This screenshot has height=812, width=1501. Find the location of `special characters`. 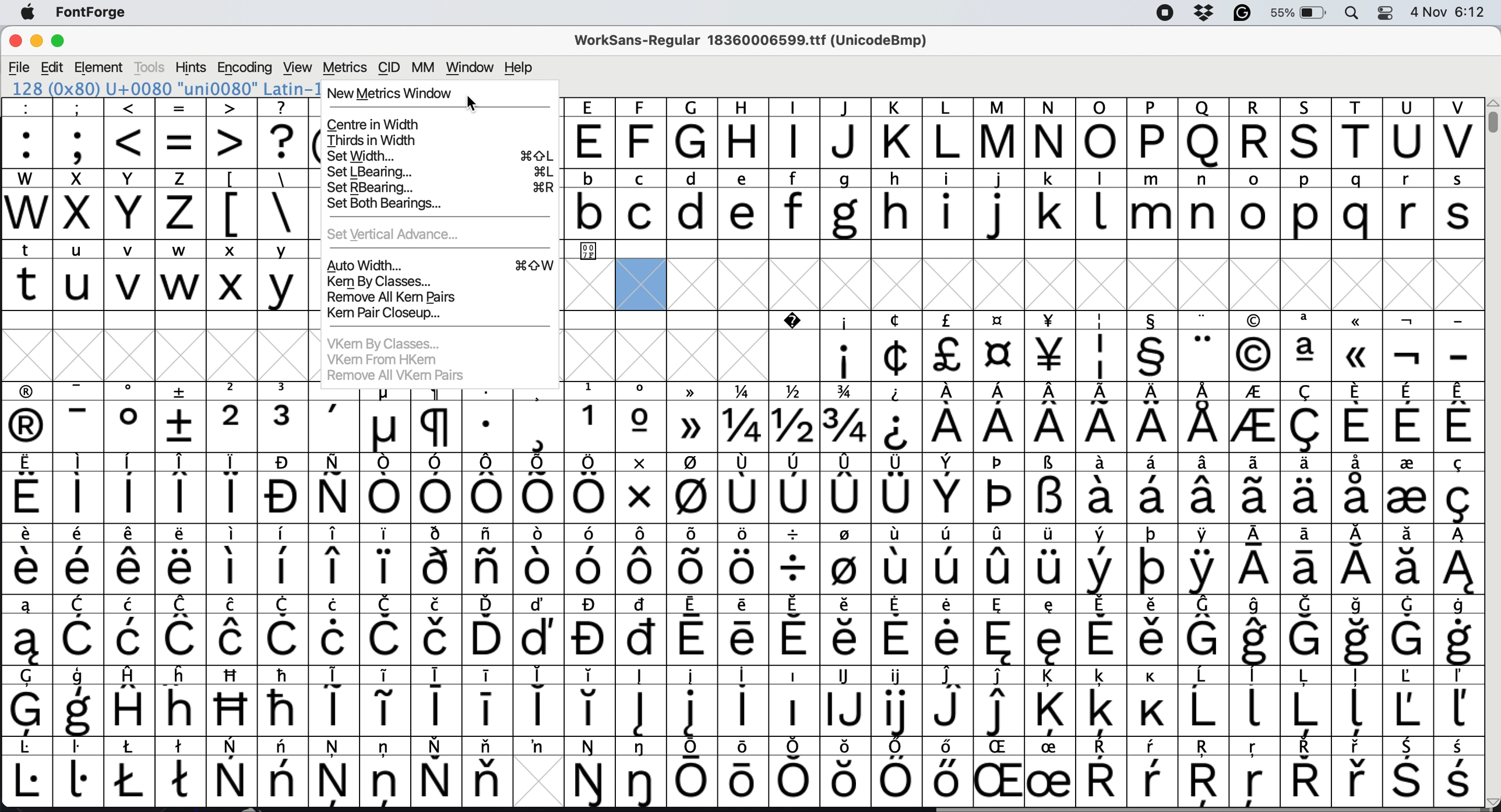

special characters is located at coordinates (741, 746).